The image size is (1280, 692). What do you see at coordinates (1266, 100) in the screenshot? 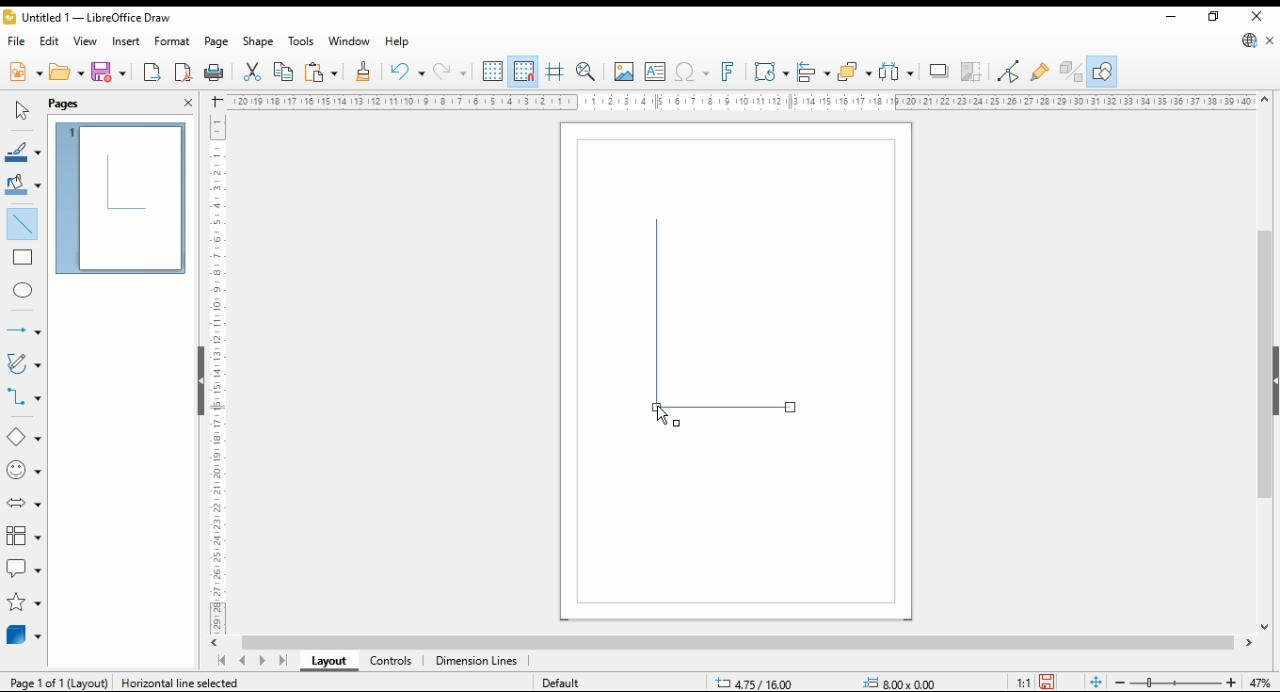
I see `move up` at bounding box center [1266, 100].